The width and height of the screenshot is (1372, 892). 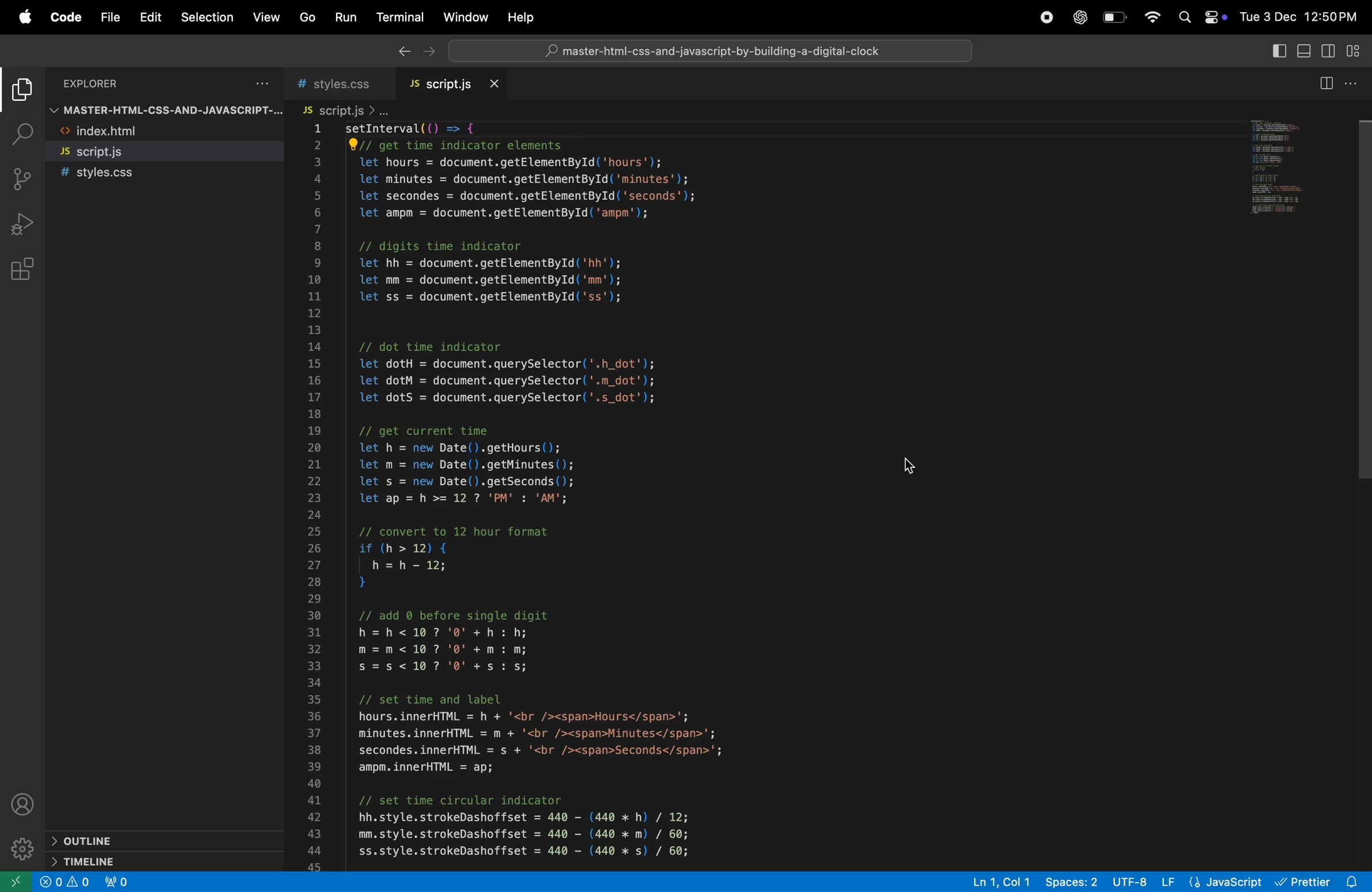 What do you see at coordinates (1154, 14) in the screenshot?
I see `wifi` at bounding box center [1154, 14].